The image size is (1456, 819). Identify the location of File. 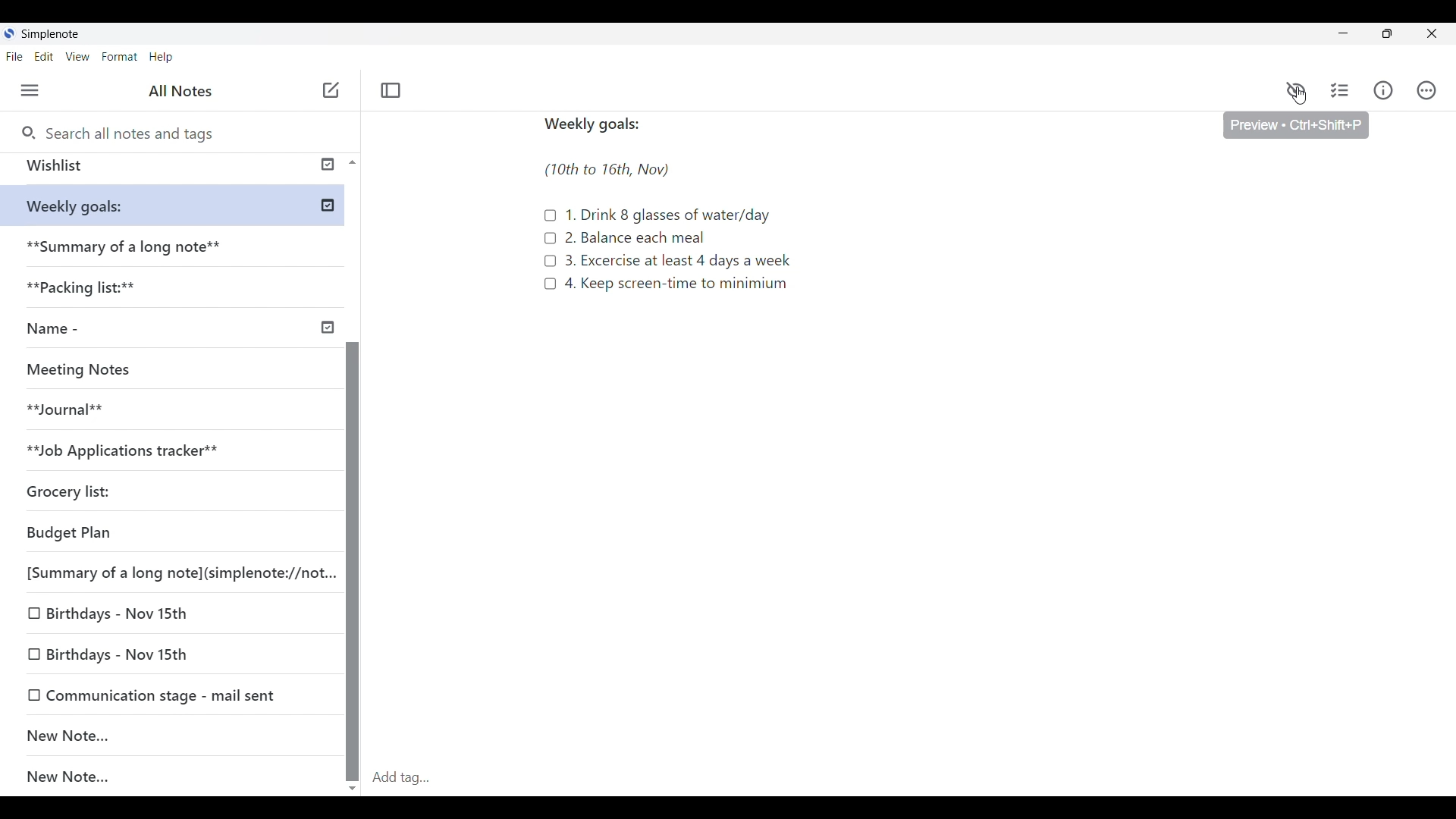
(17, 56).